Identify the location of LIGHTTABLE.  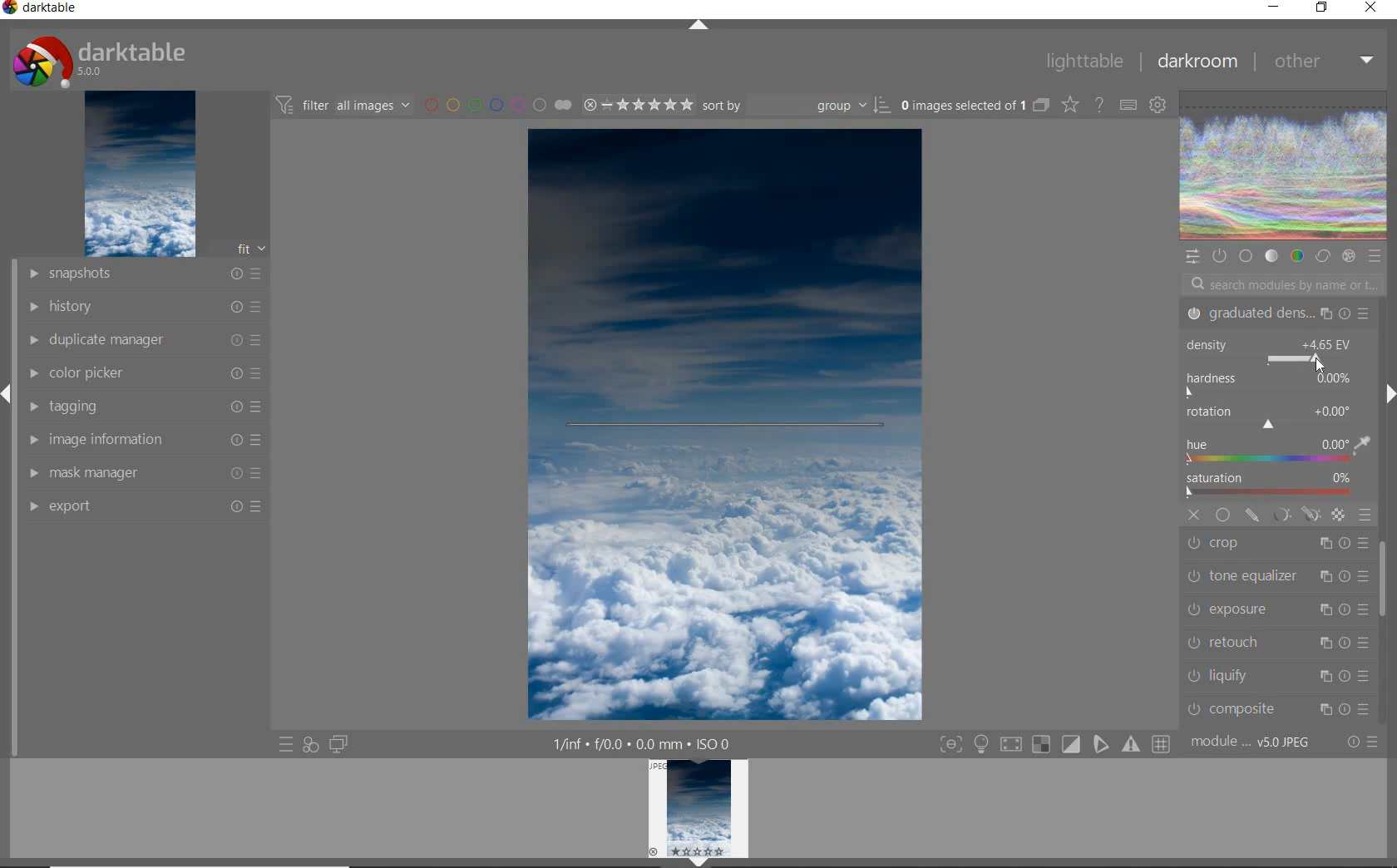
(1083, 60).